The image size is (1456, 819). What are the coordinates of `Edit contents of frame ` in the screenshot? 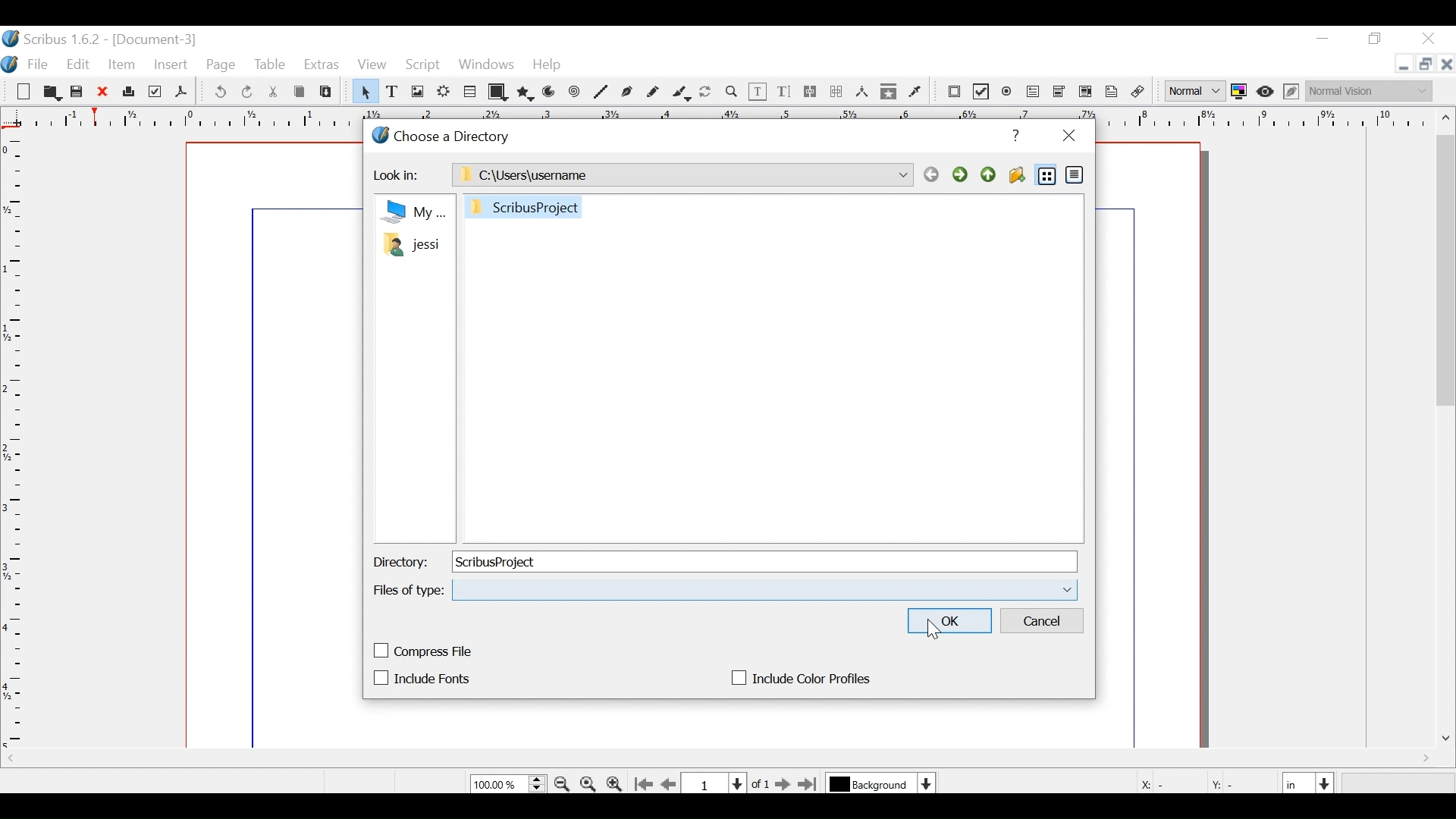 It's located at (758, 92).